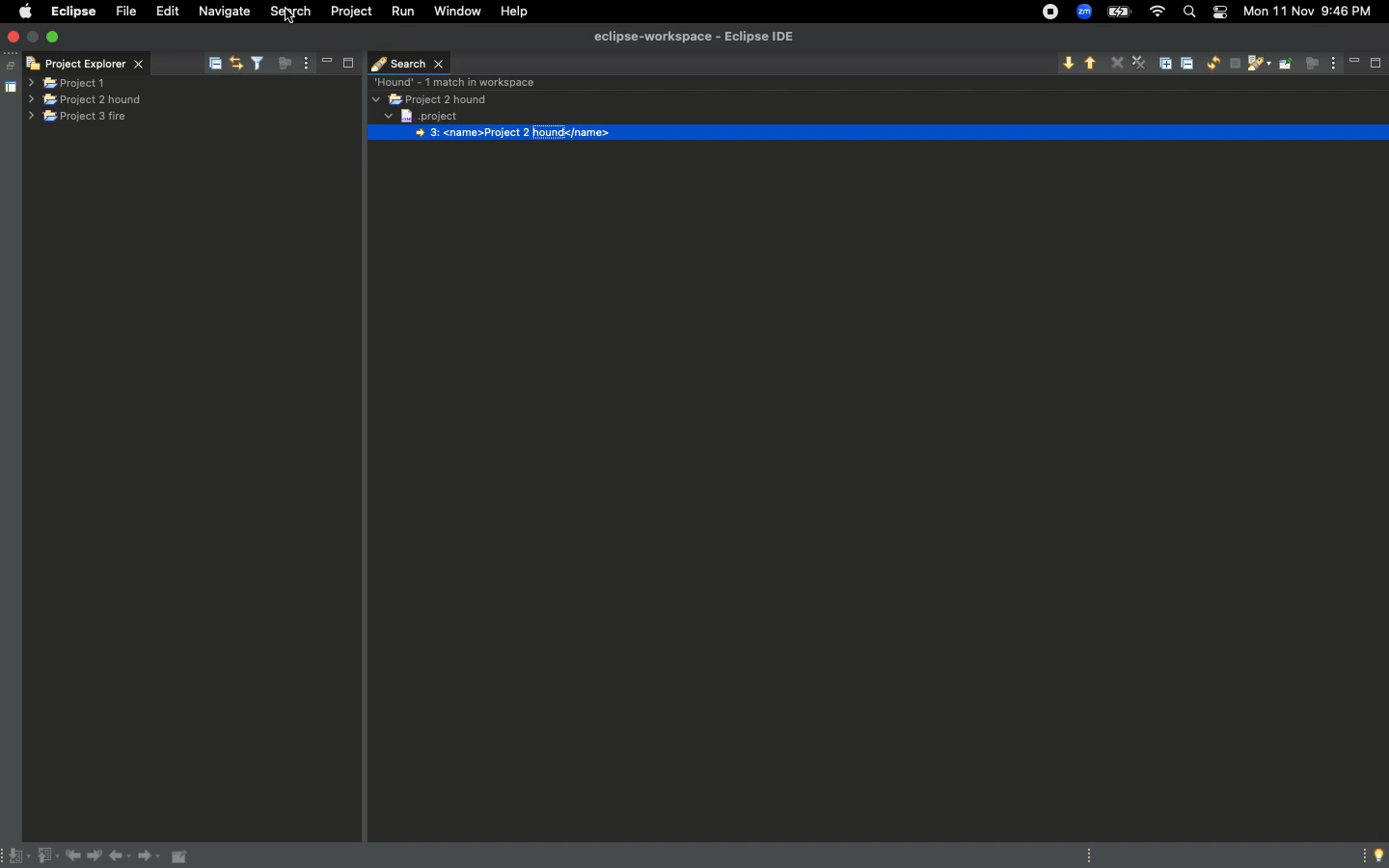 Image resolution: width=1389 pixels, height=868 pixels. I want to click on collapse all, so click(214, 61).